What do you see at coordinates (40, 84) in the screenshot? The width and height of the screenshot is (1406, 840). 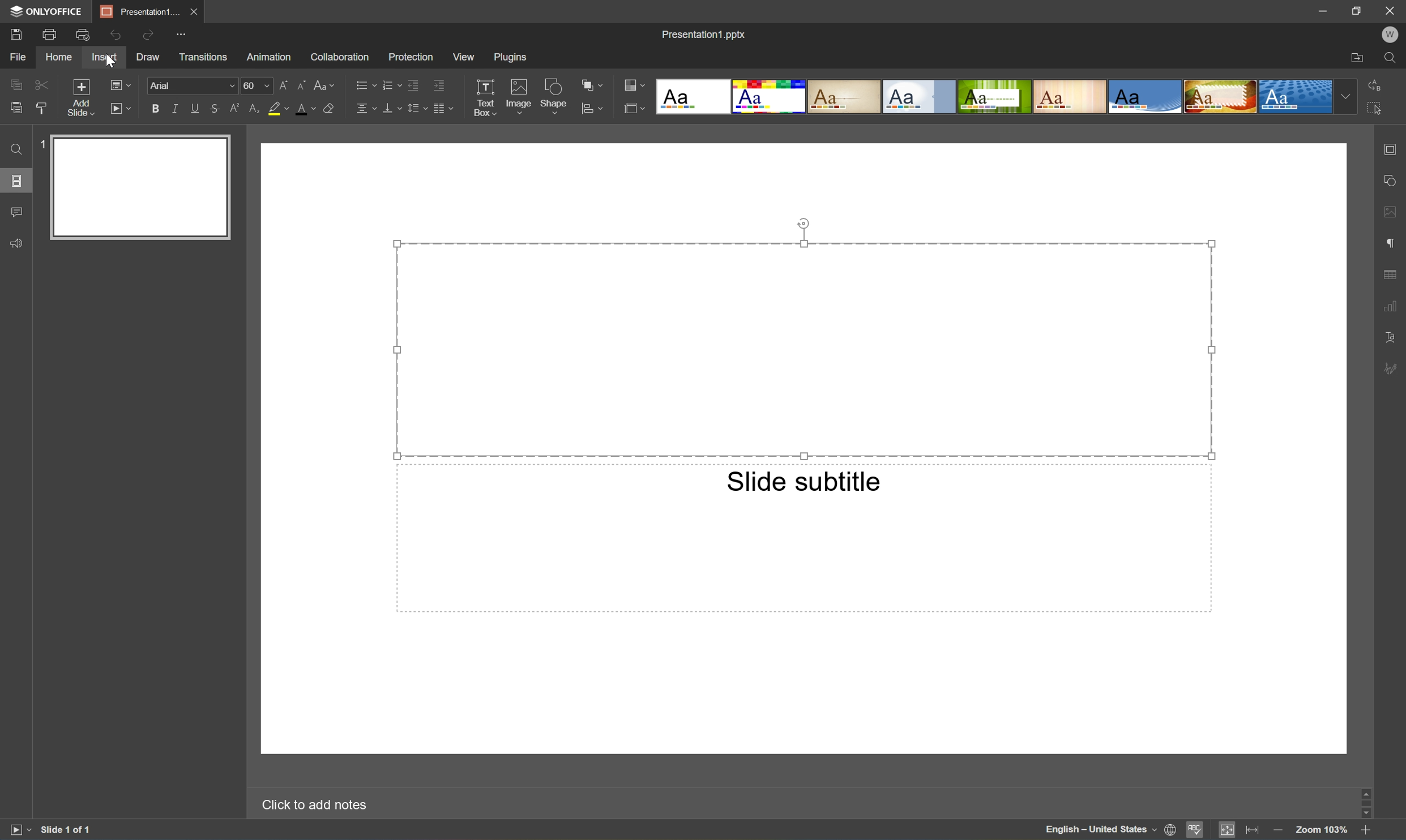 I see `Cut` at bounding box center [40, 84].